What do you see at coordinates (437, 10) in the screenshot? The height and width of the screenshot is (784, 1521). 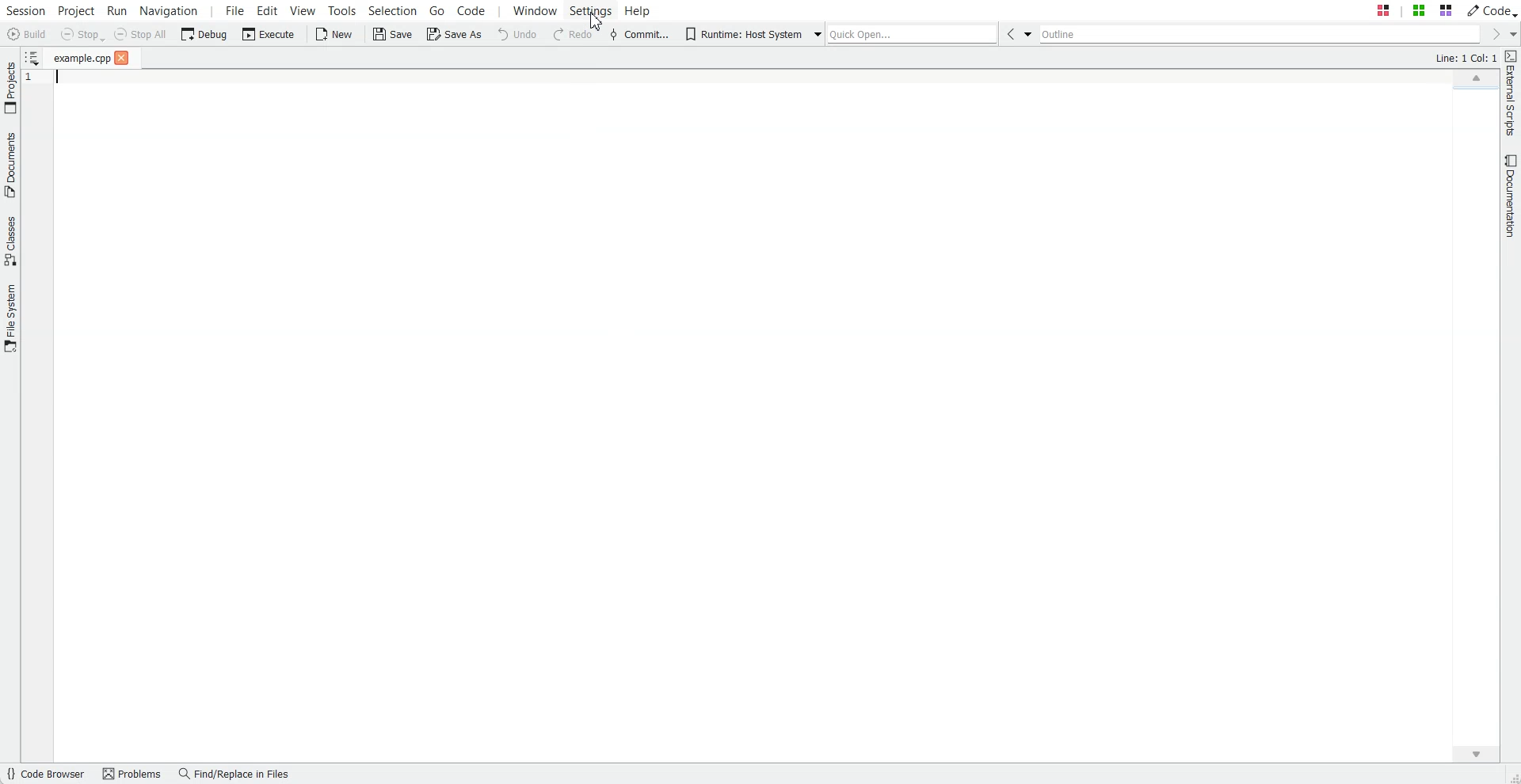 I see `Go` at bounding box center [437, 10].